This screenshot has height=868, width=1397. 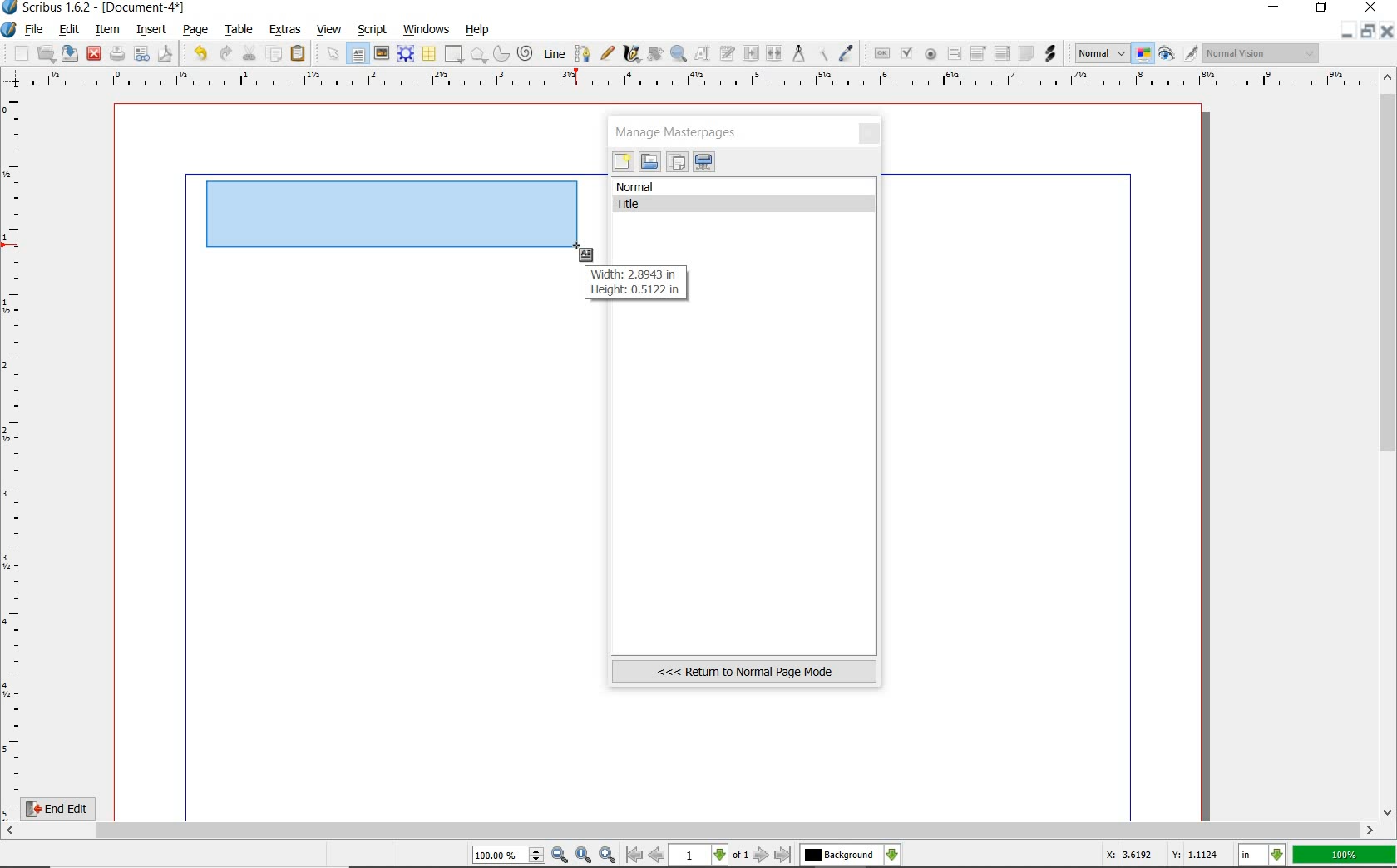 What do you see at coordinates (526, 53) in the screenshot?
I see `spiral` at bounding box center [526, 53].